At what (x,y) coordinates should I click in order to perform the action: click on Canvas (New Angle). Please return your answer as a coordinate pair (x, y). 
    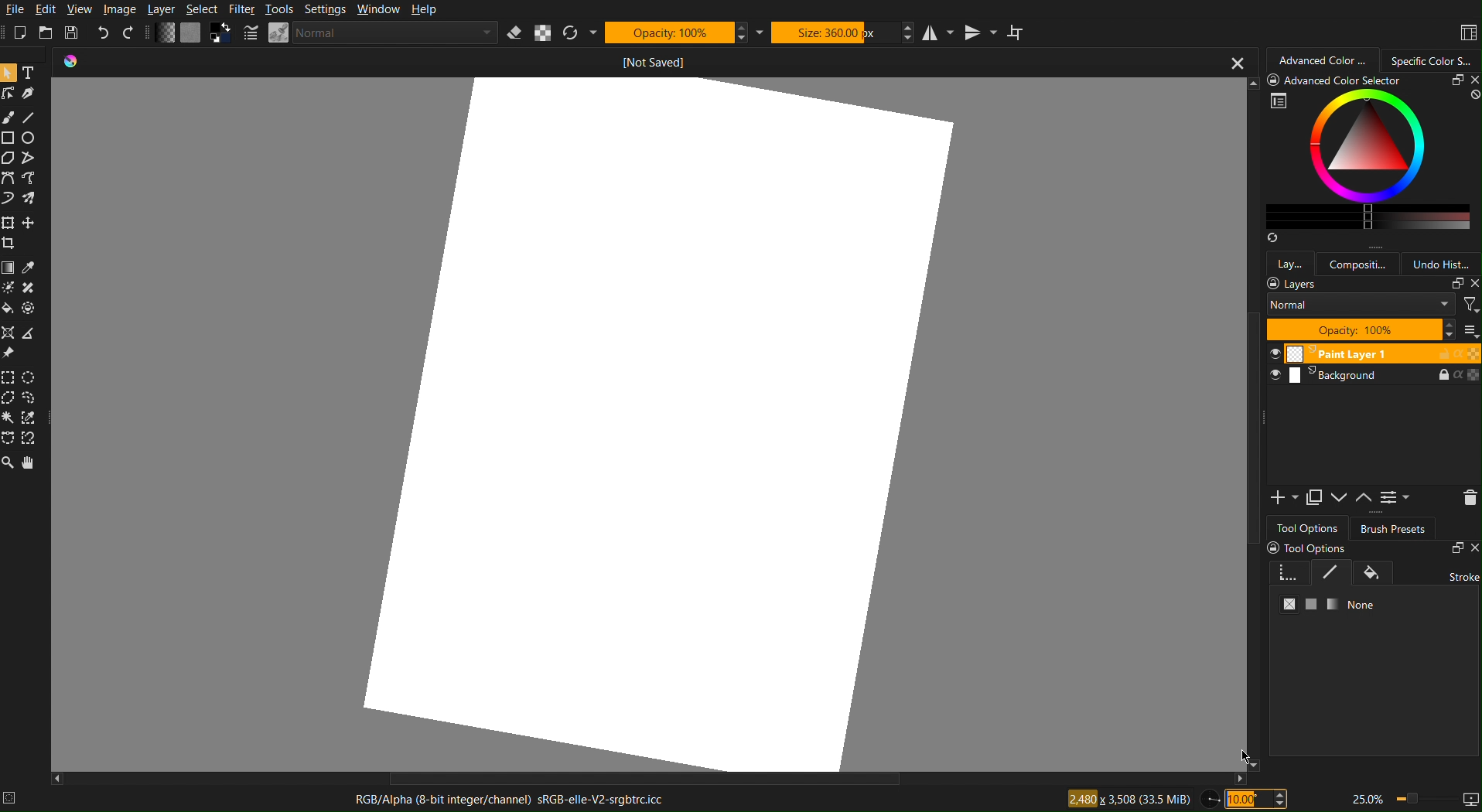
    Looking at the image, I should click on (660, 420).